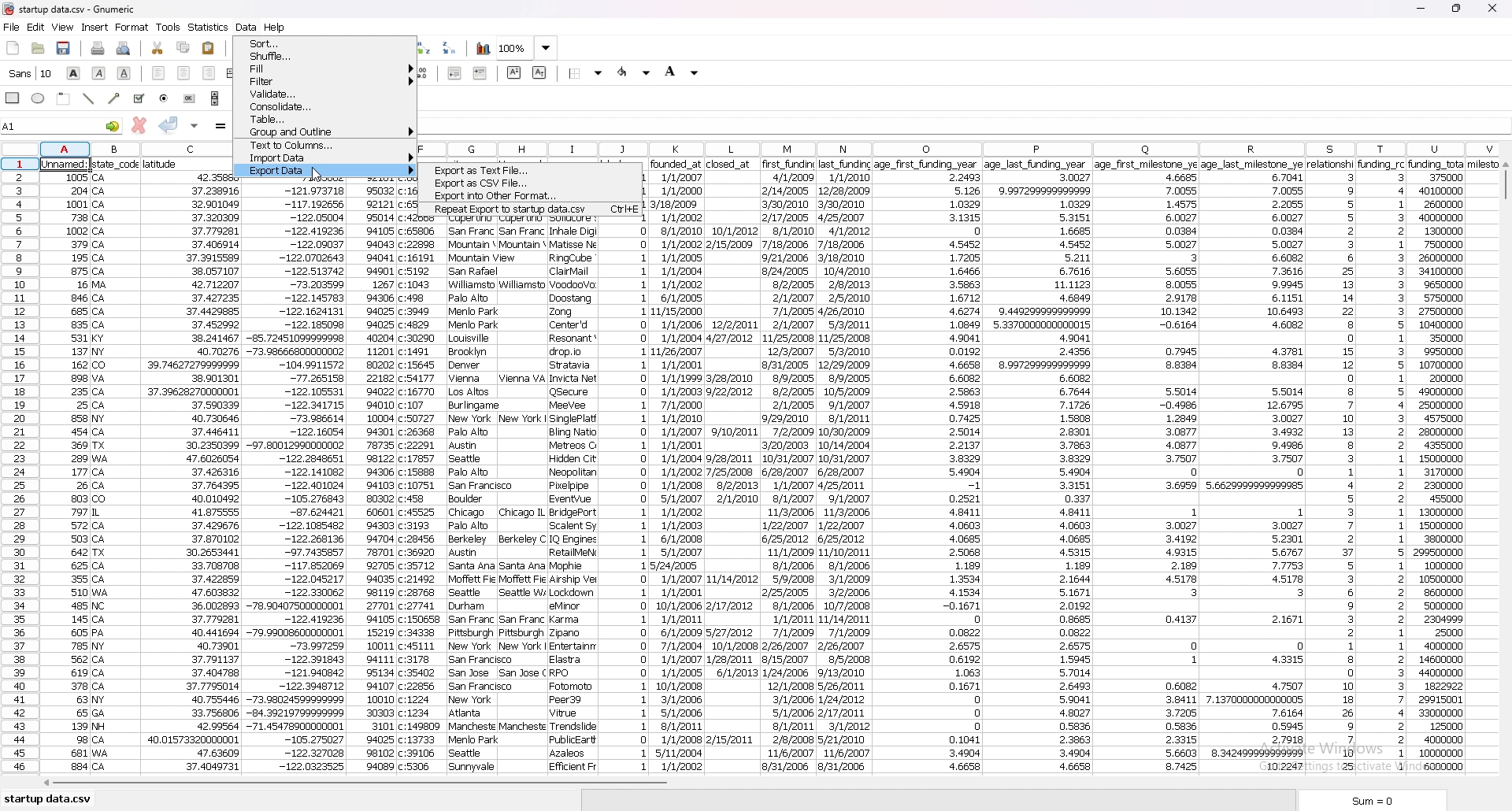 The image size is (1512, 811). I want to click on data, so click(926, 468).